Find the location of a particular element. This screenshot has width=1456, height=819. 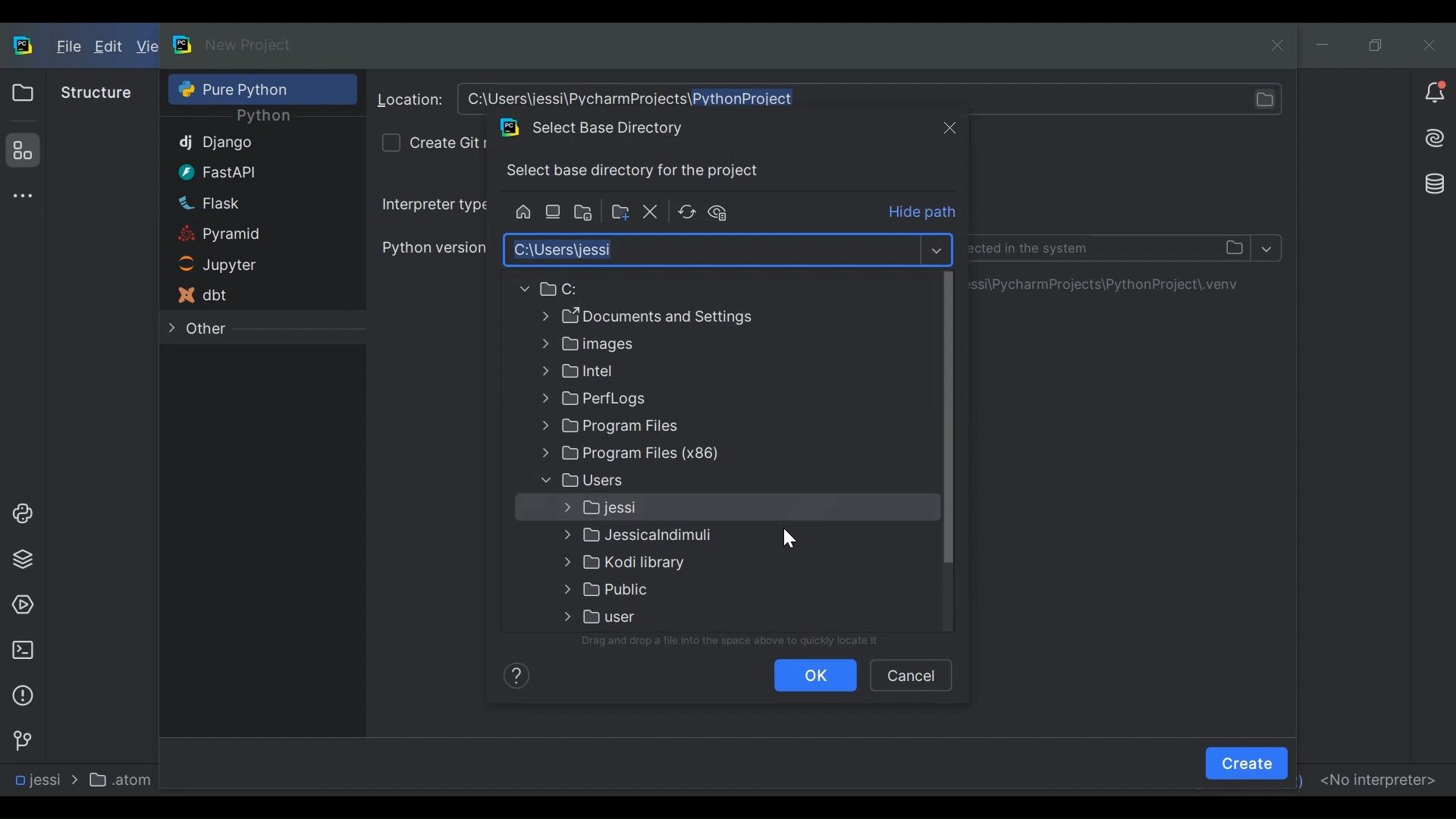

FastAPI is located at coordinates (241, 171).